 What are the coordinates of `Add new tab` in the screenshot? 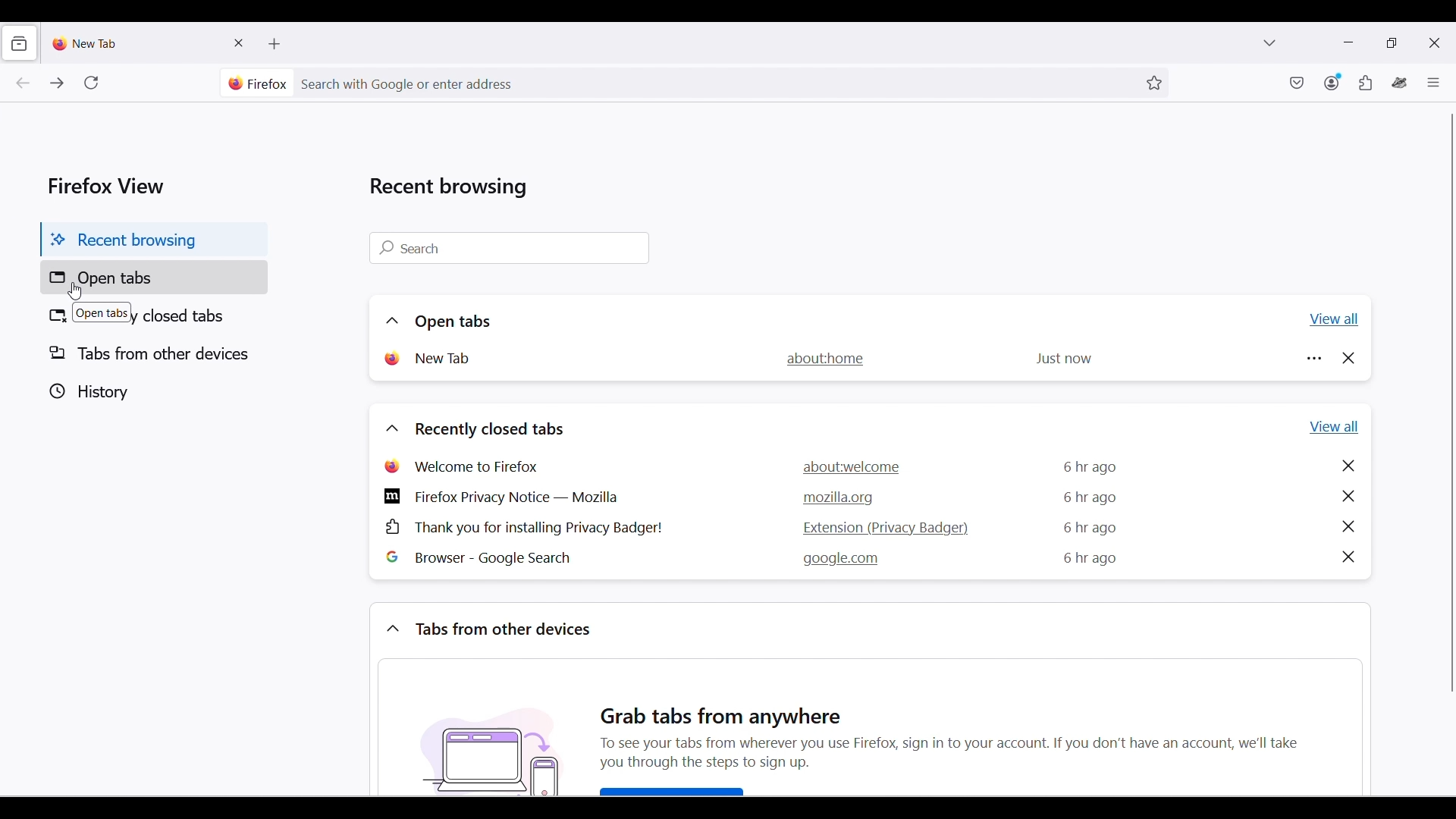 It's located at (275, 44).